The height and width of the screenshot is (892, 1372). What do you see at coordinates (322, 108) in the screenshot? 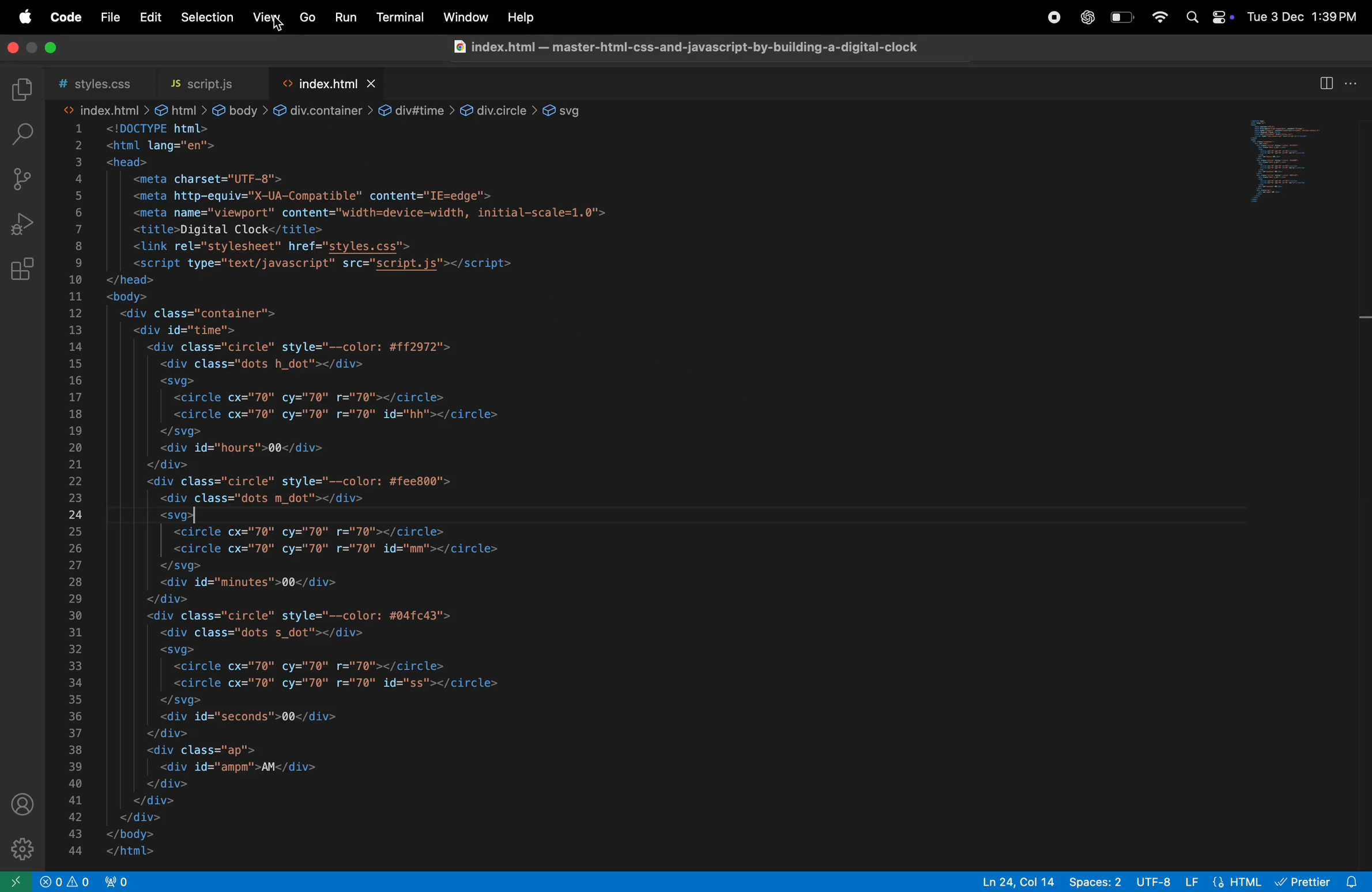
I see `div.container` at bounding box center [322, 108].